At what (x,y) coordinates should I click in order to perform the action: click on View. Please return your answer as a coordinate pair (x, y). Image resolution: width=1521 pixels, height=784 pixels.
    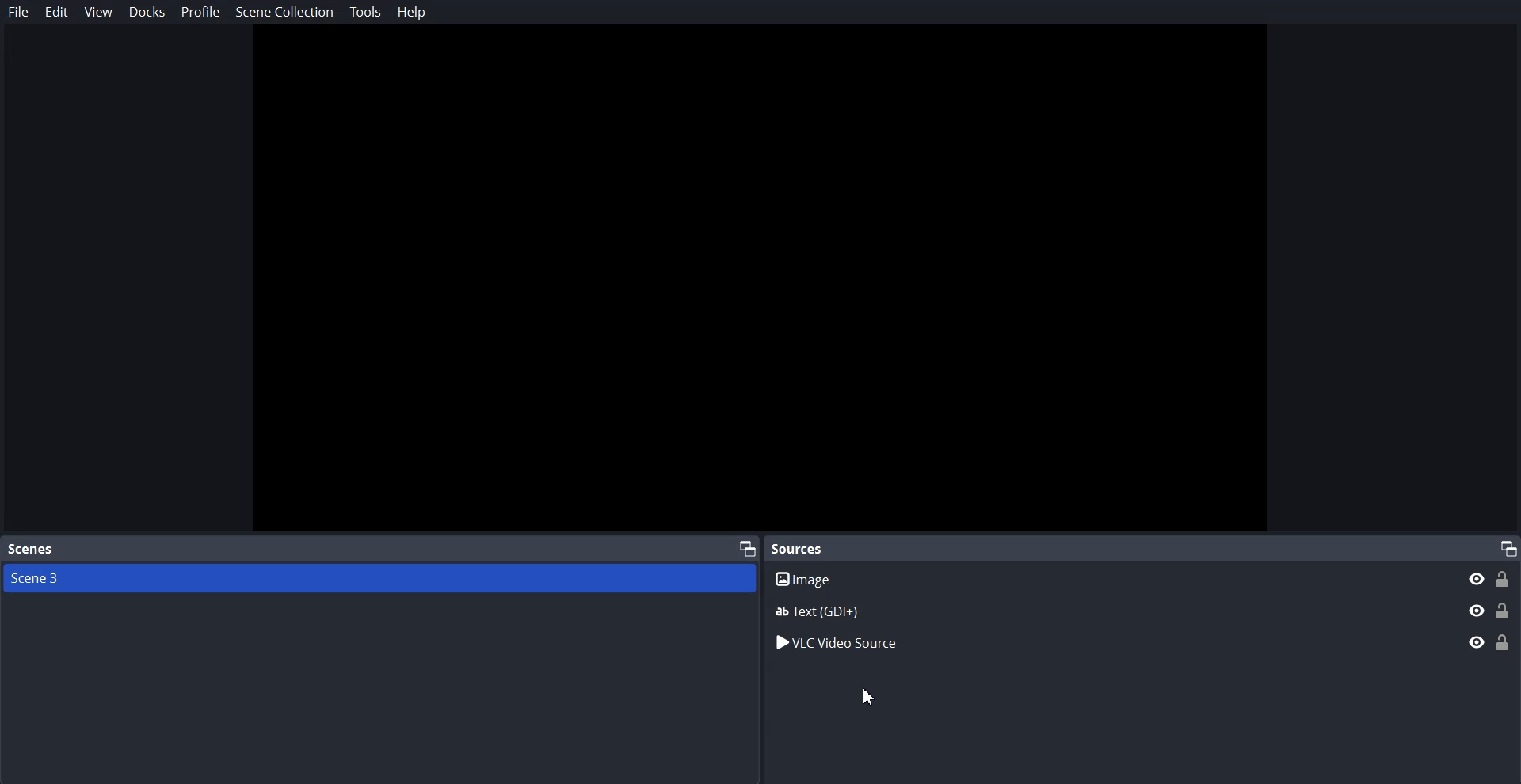
    Looking at the image, I should click on (98, 13).